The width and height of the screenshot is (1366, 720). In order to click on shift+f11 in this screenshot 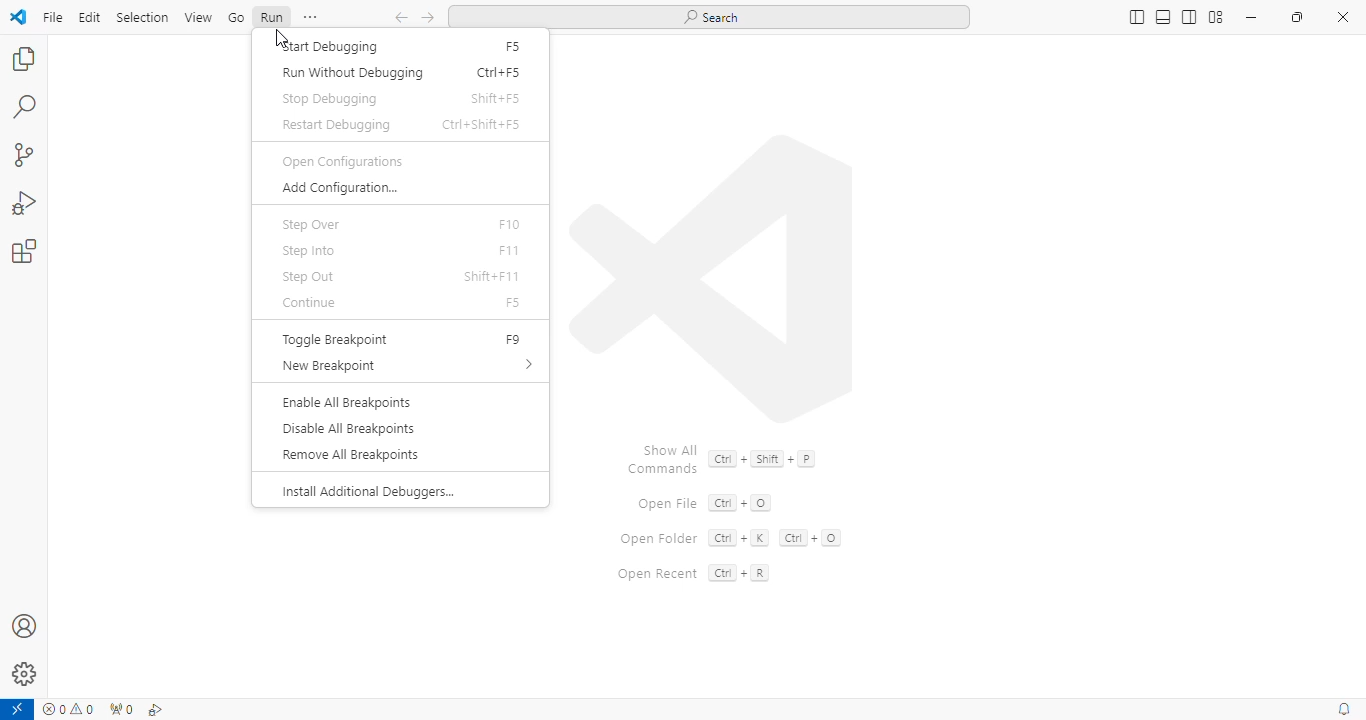, I will do `click(492, 275)`.